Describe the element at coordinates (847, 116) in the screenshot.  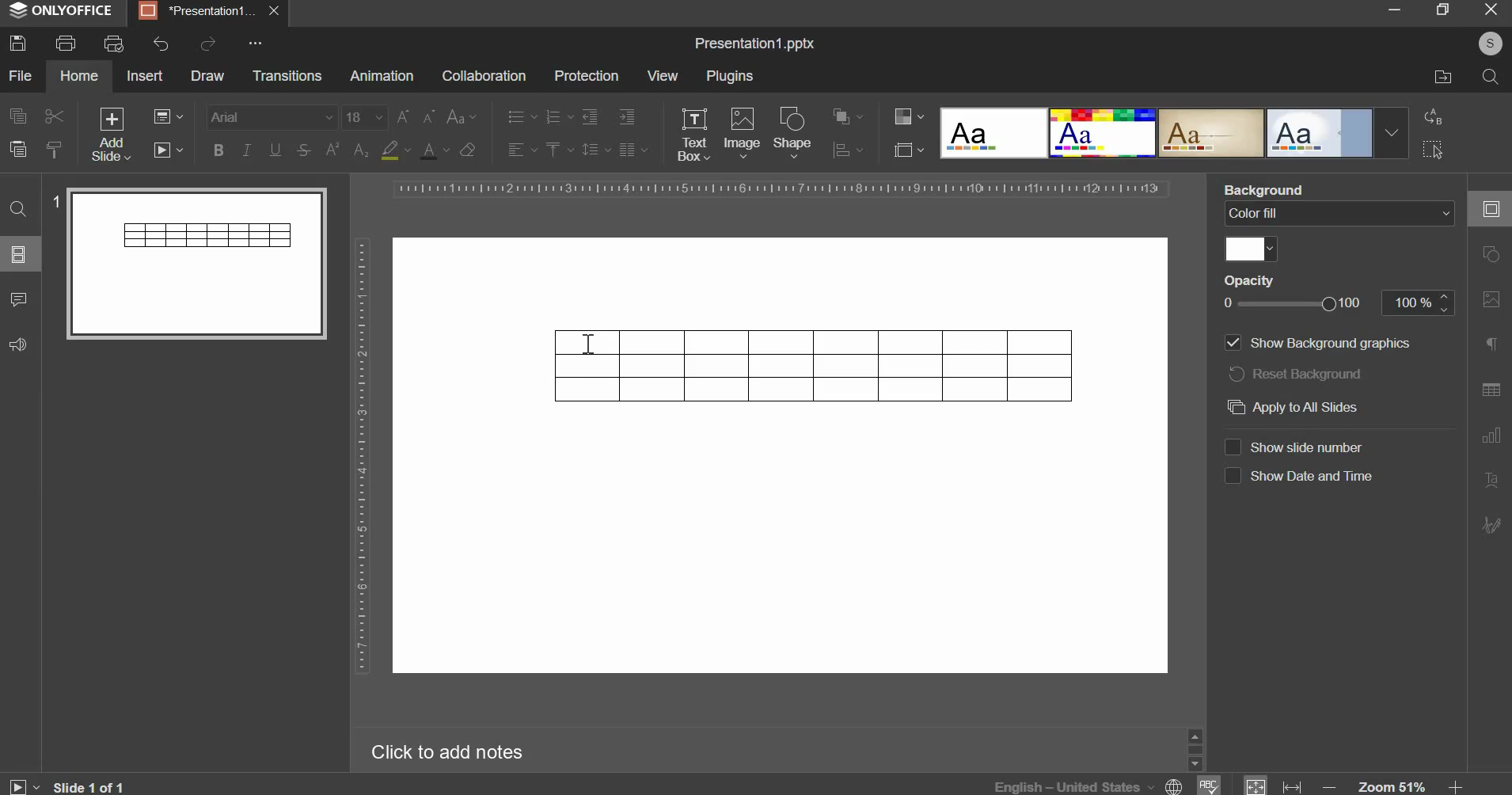
I see `arrange object` at that location.